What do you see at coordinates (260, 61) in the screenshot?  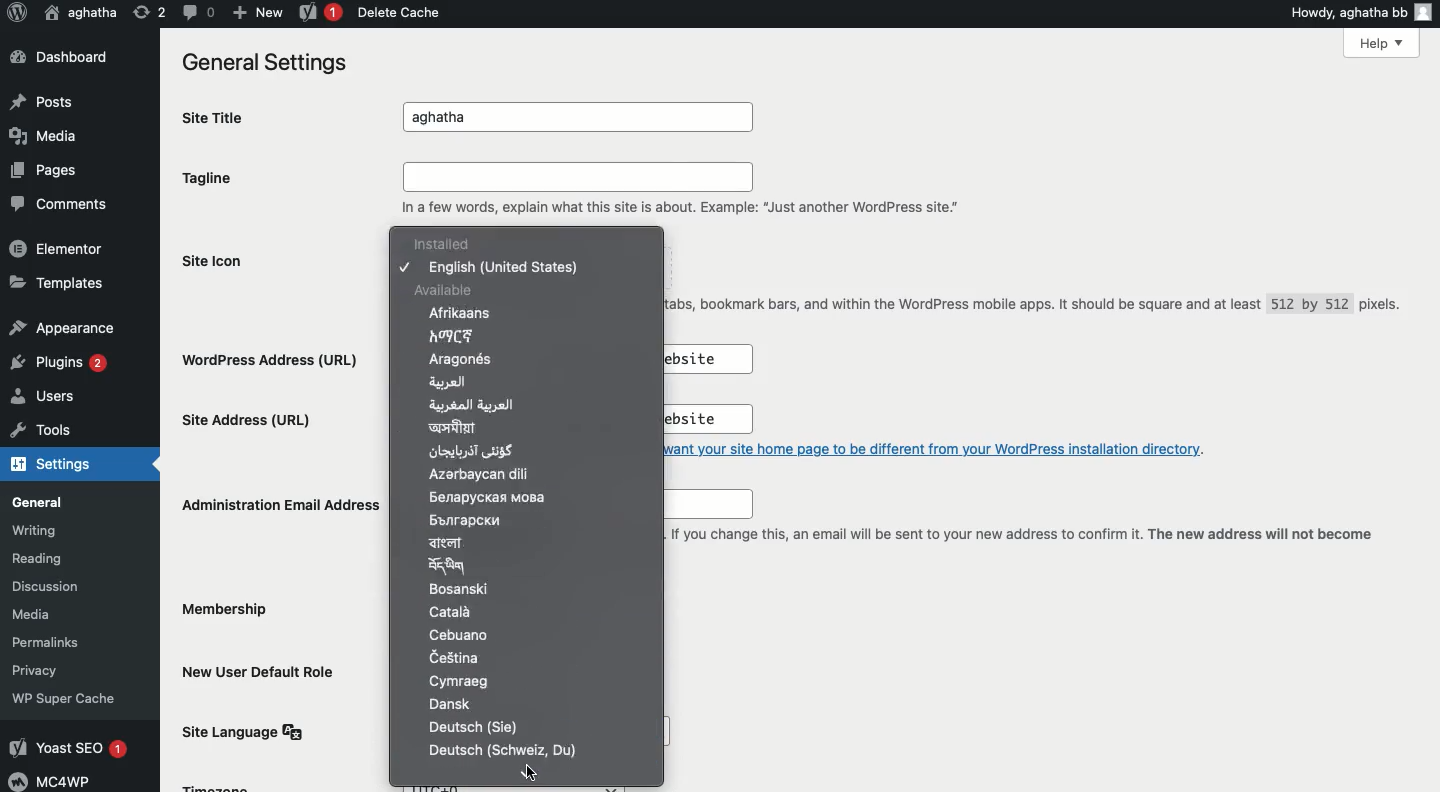 I see `General settings` at bounding box center [260, 61].